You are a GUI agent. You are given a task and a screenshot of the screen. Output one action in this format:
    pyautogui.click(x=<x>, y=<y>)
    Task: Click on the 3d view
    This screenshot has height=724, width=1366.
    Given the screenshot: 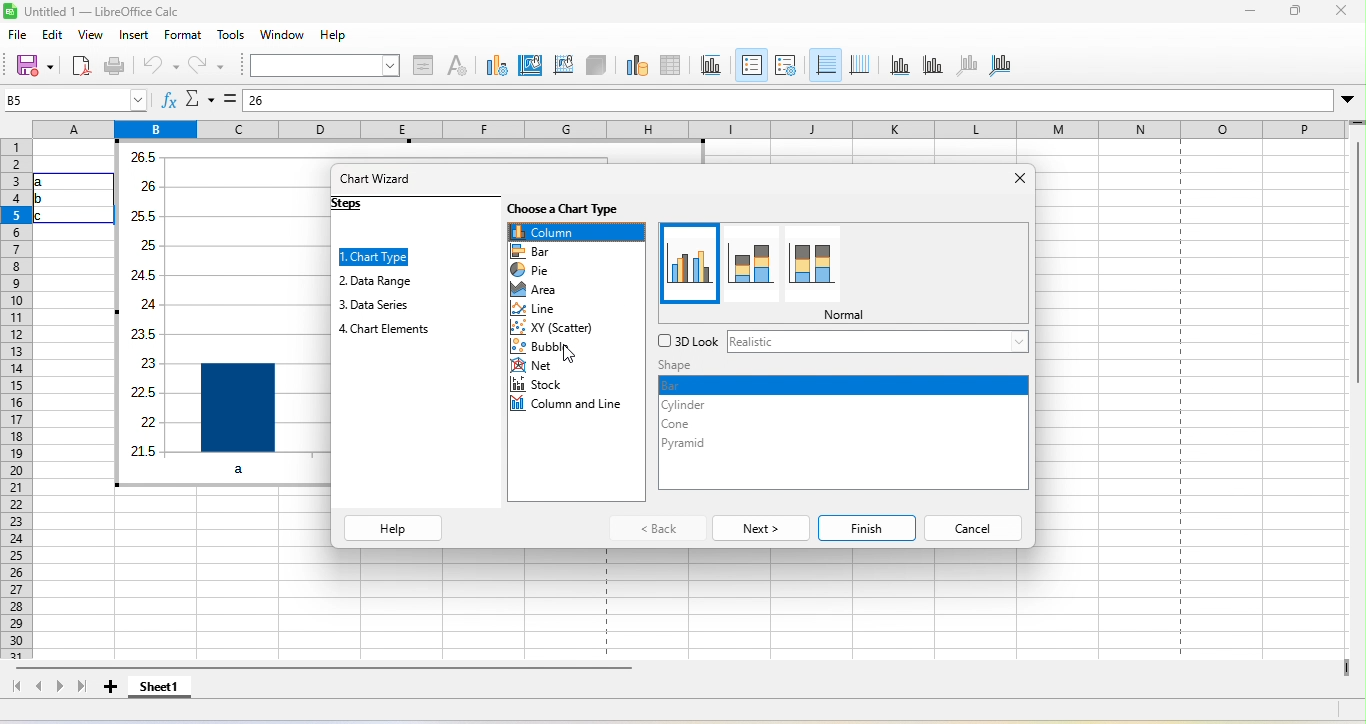 What is the action you would take?
    pyautogui.click(x=597, y=63)
    